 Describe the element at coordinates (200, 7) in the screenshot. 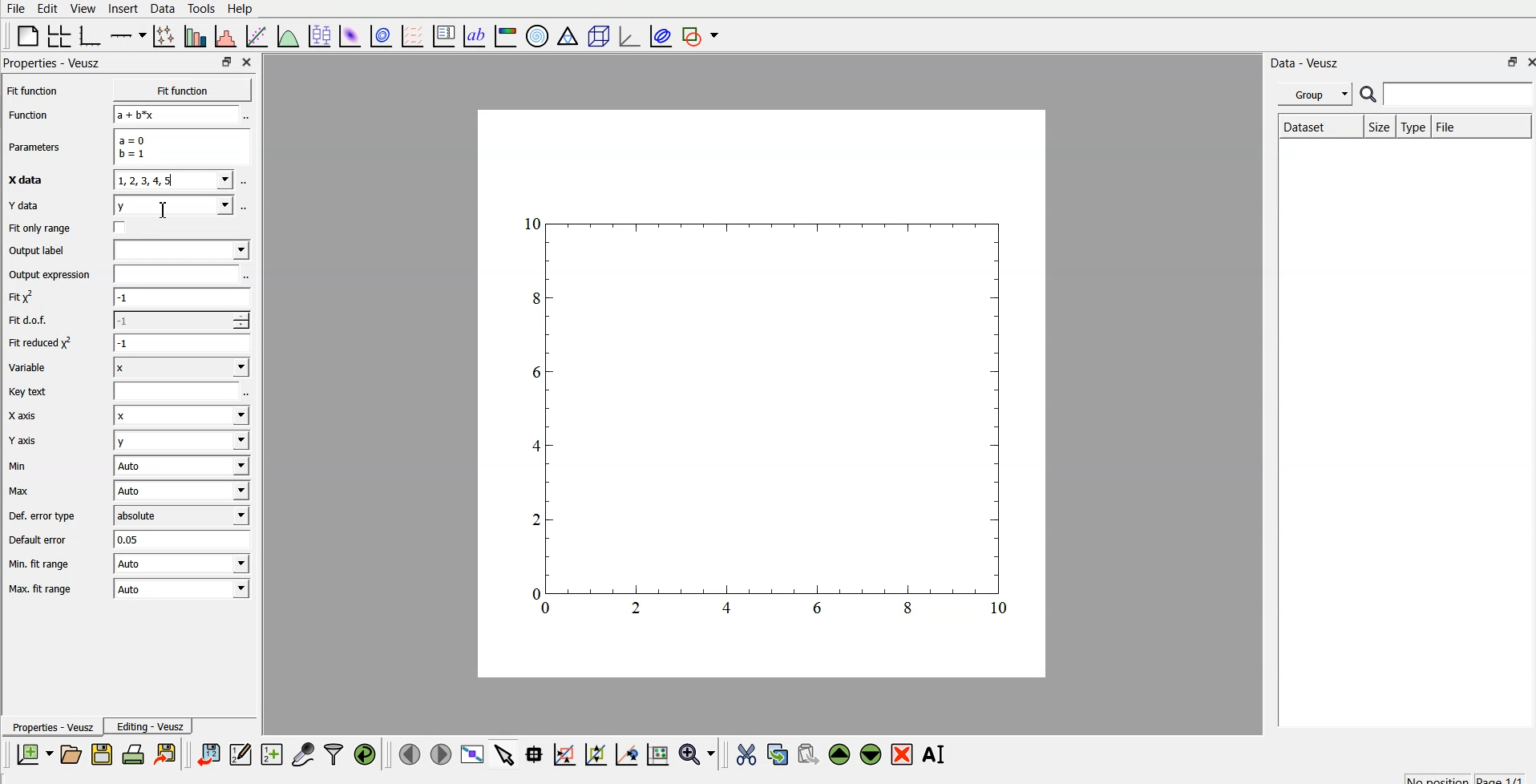

I see `tools` at that location.